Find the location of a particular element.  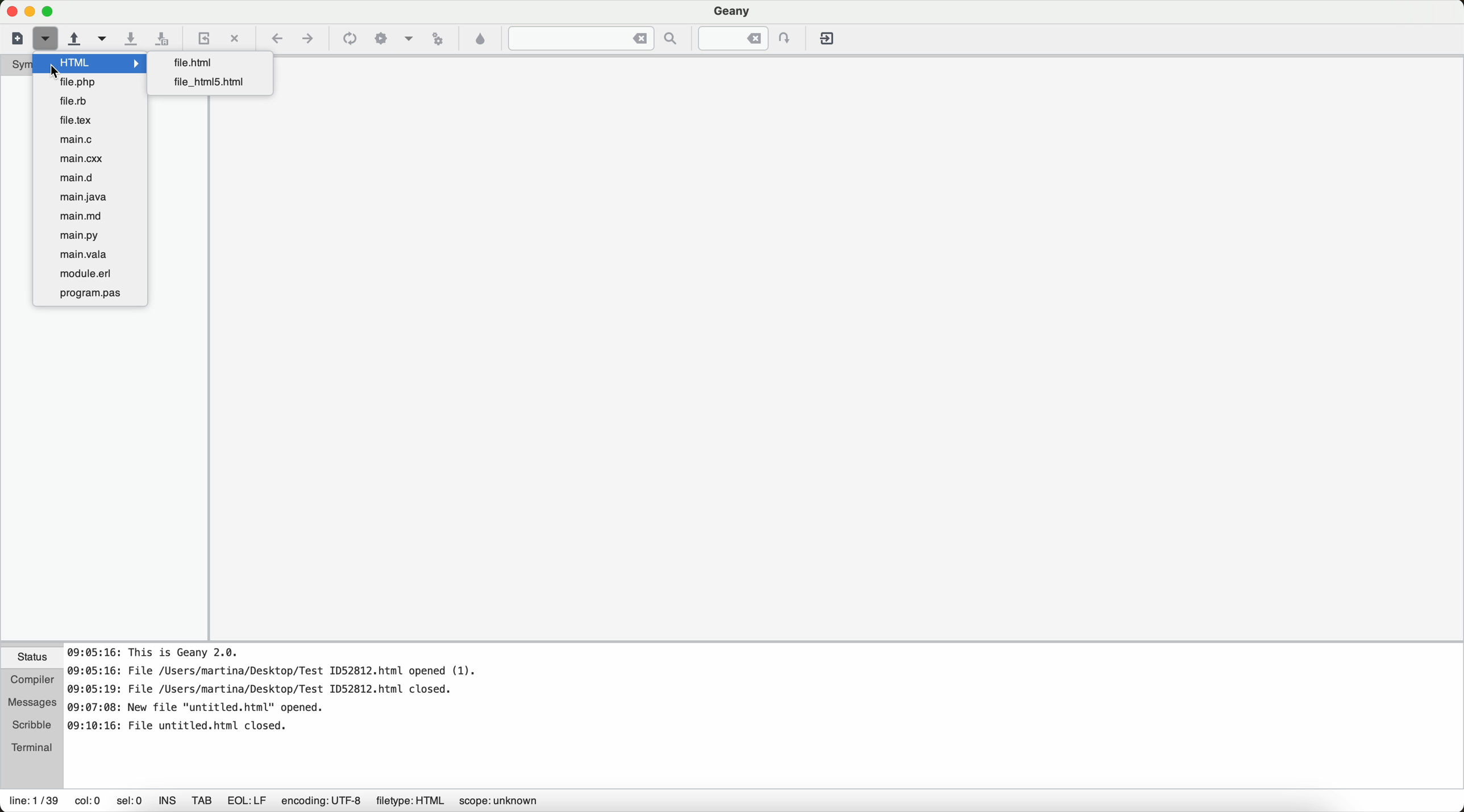

module.erl is located at coordinates (90, 273).